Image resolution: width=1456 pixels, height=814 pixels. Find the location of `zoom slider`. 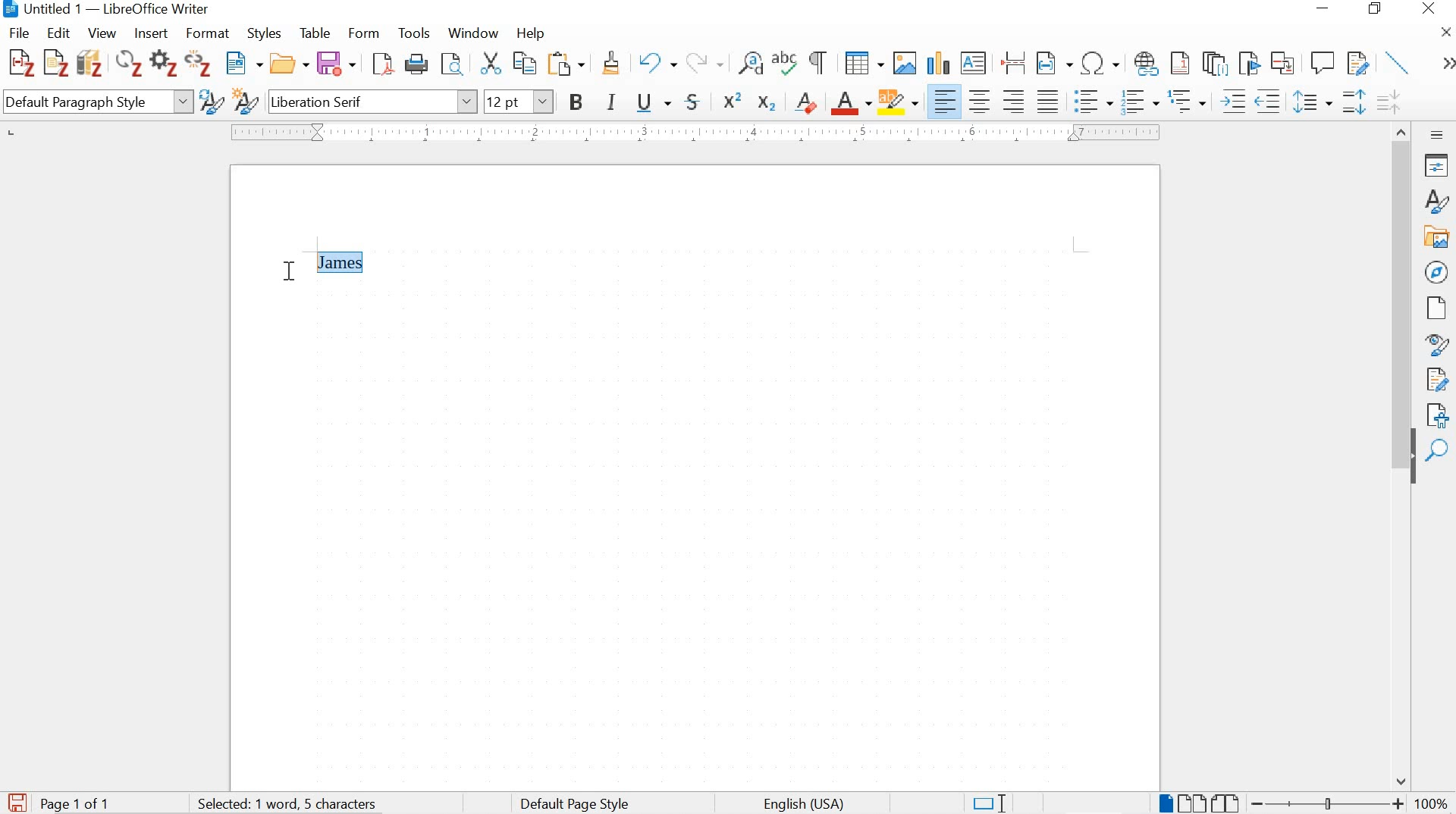

zoom slider is located at coordinates (1323, 803).